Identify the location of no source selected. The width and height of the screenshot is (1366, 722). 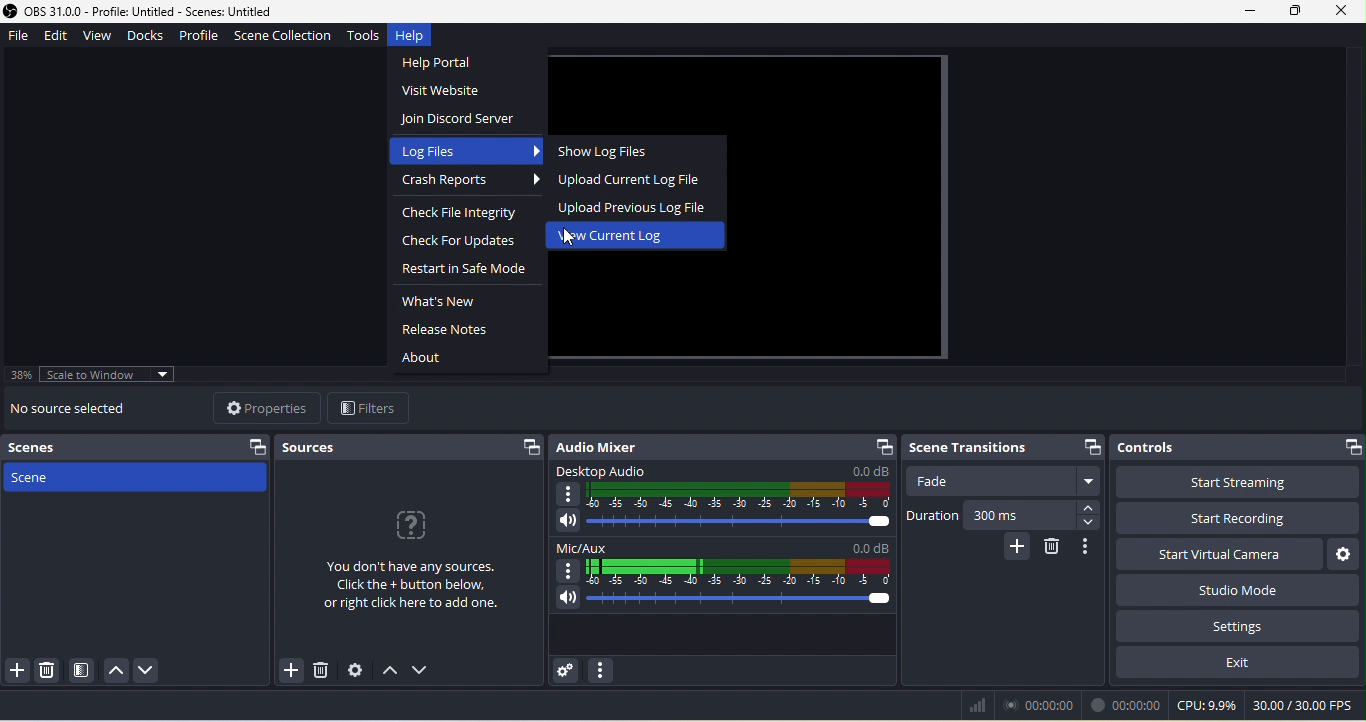
(83, 410).